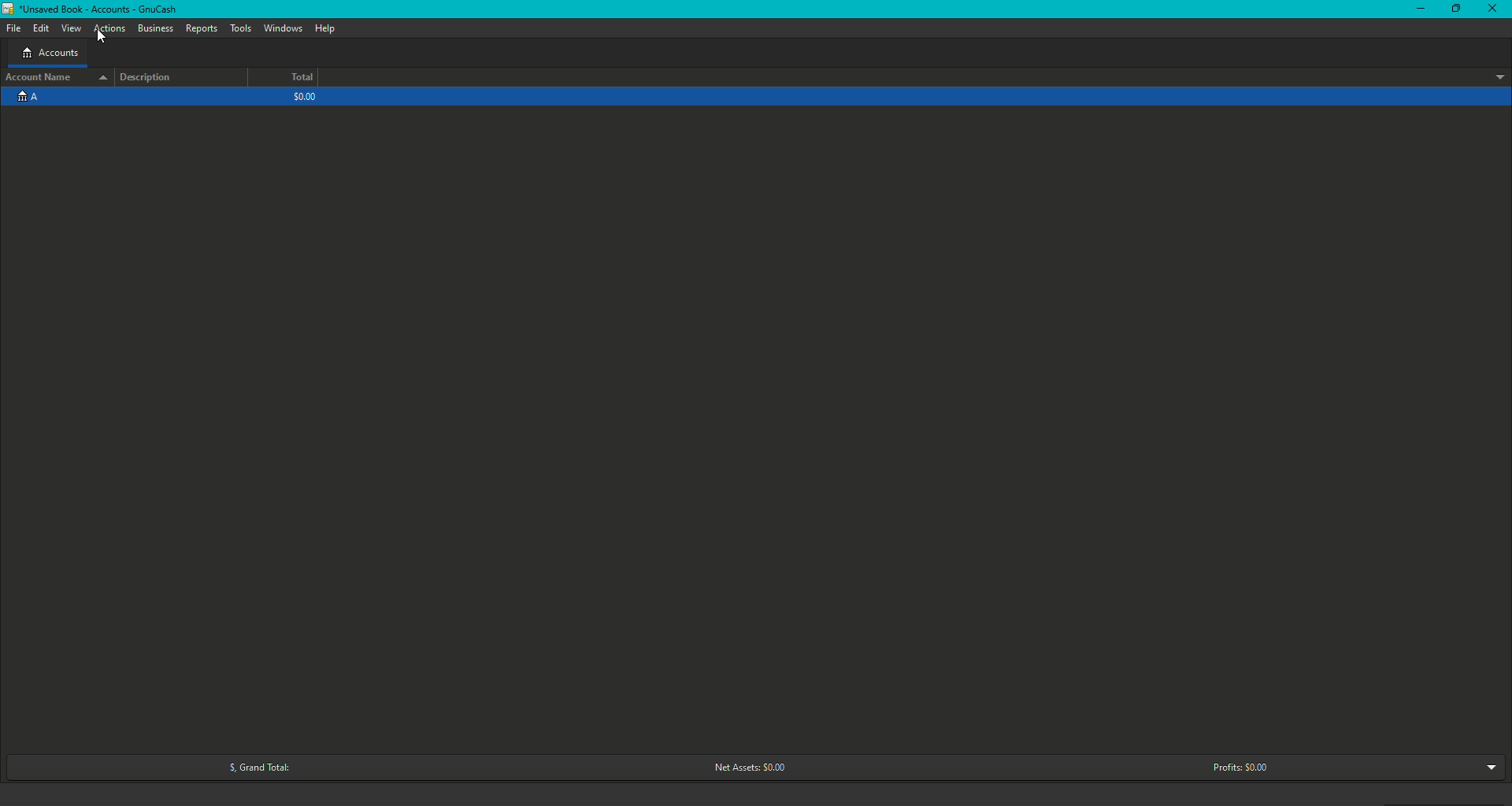 Image resolution: width=1512 pixels, height=806 pixels. What do you see at coordinates (149, 77) in the screenshot?
I see `Description` at bounding box center [149, 77].